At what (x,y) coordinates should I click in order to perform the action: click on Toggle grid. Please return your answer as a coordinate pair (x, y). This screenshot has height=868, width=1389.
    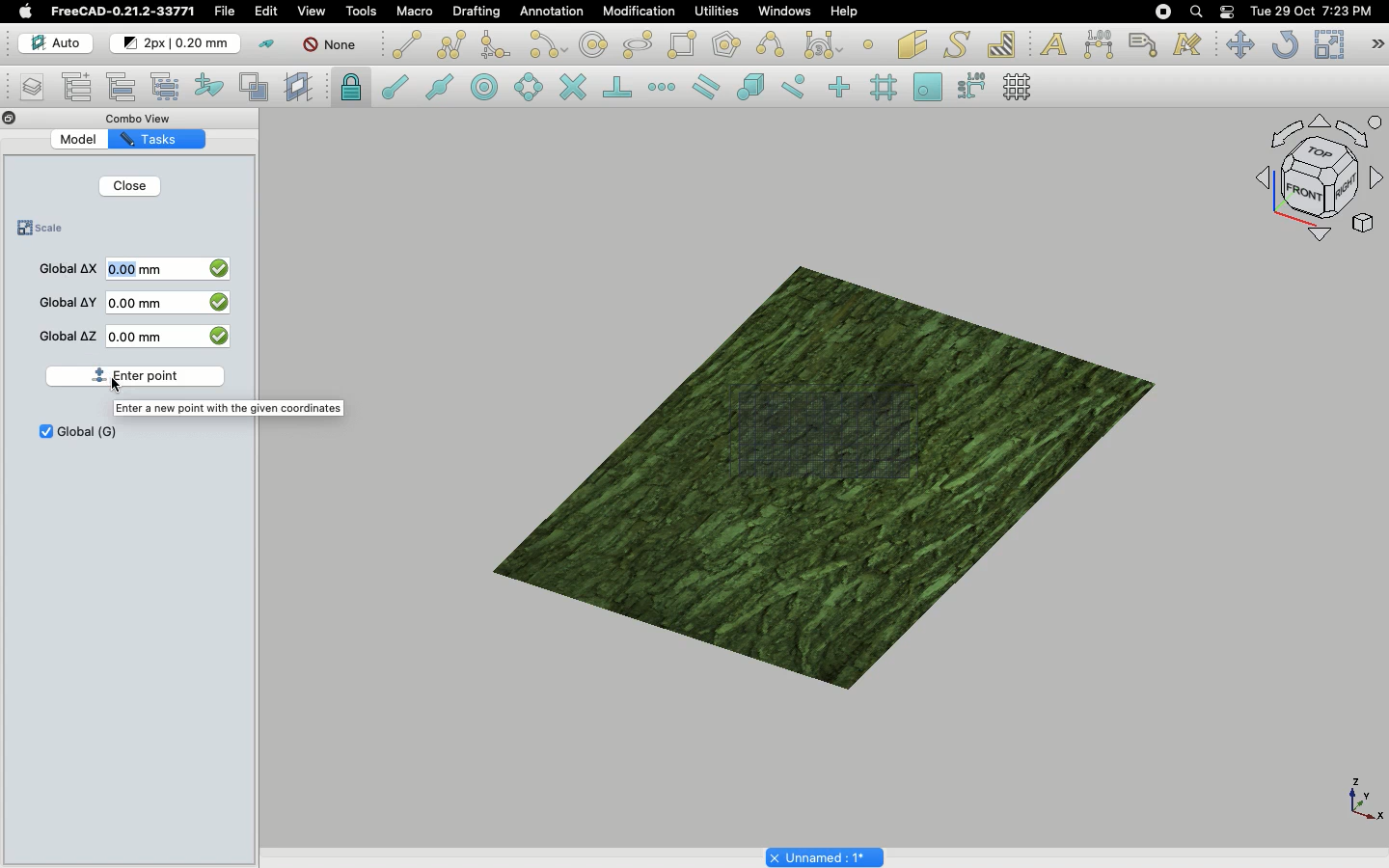
    Looking at the image, I should click on (1023, 87).